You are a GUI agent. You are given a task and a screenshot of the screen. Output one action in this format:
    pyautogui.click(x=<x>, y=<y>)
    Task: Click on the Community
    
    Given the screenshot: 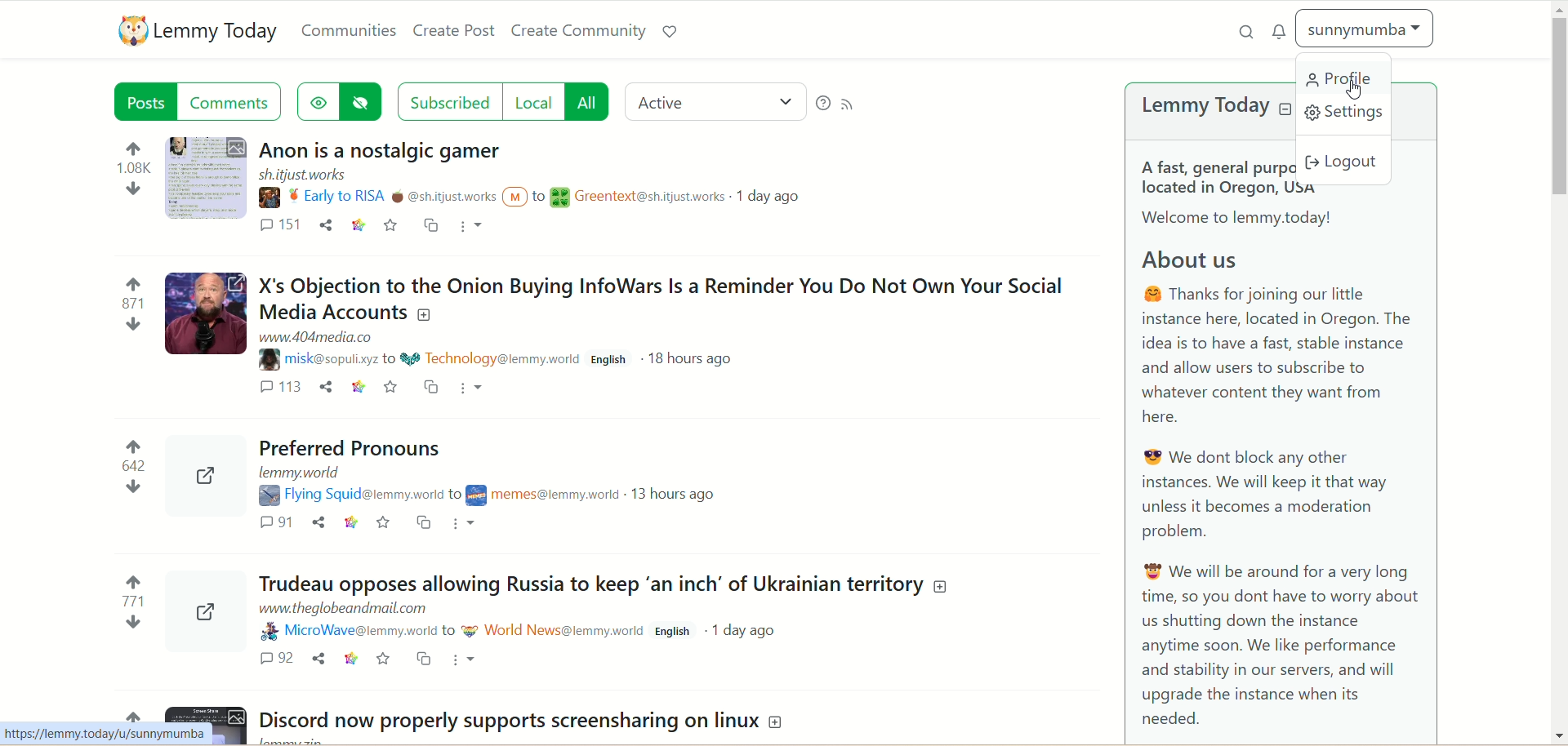 What is the action you would take?
    pyautogui.click(x=490, y=358)
    